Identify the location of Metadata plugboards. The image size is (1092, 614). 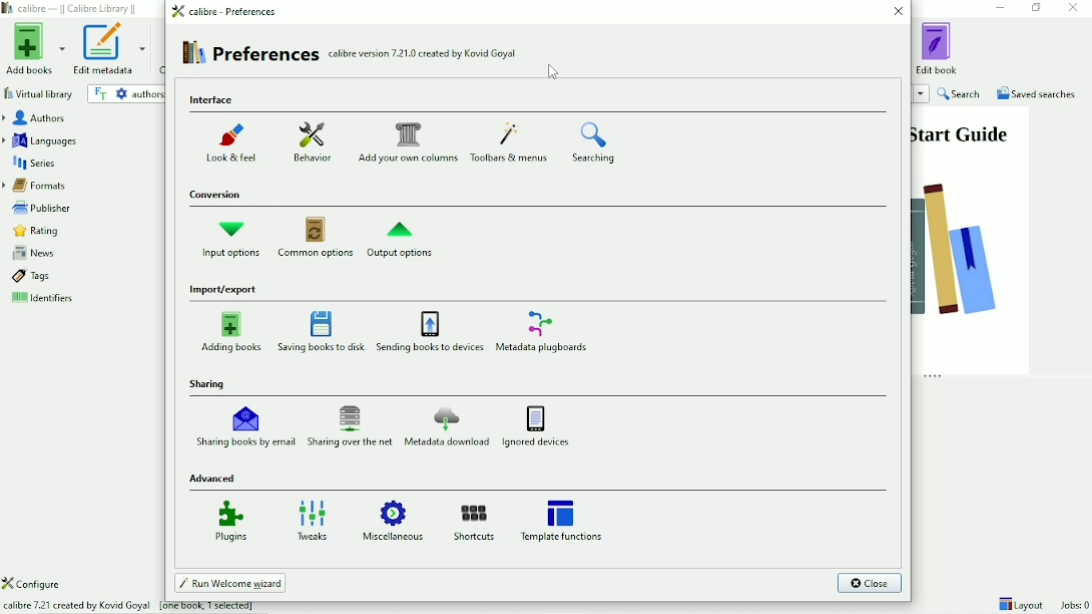
(550, 332).